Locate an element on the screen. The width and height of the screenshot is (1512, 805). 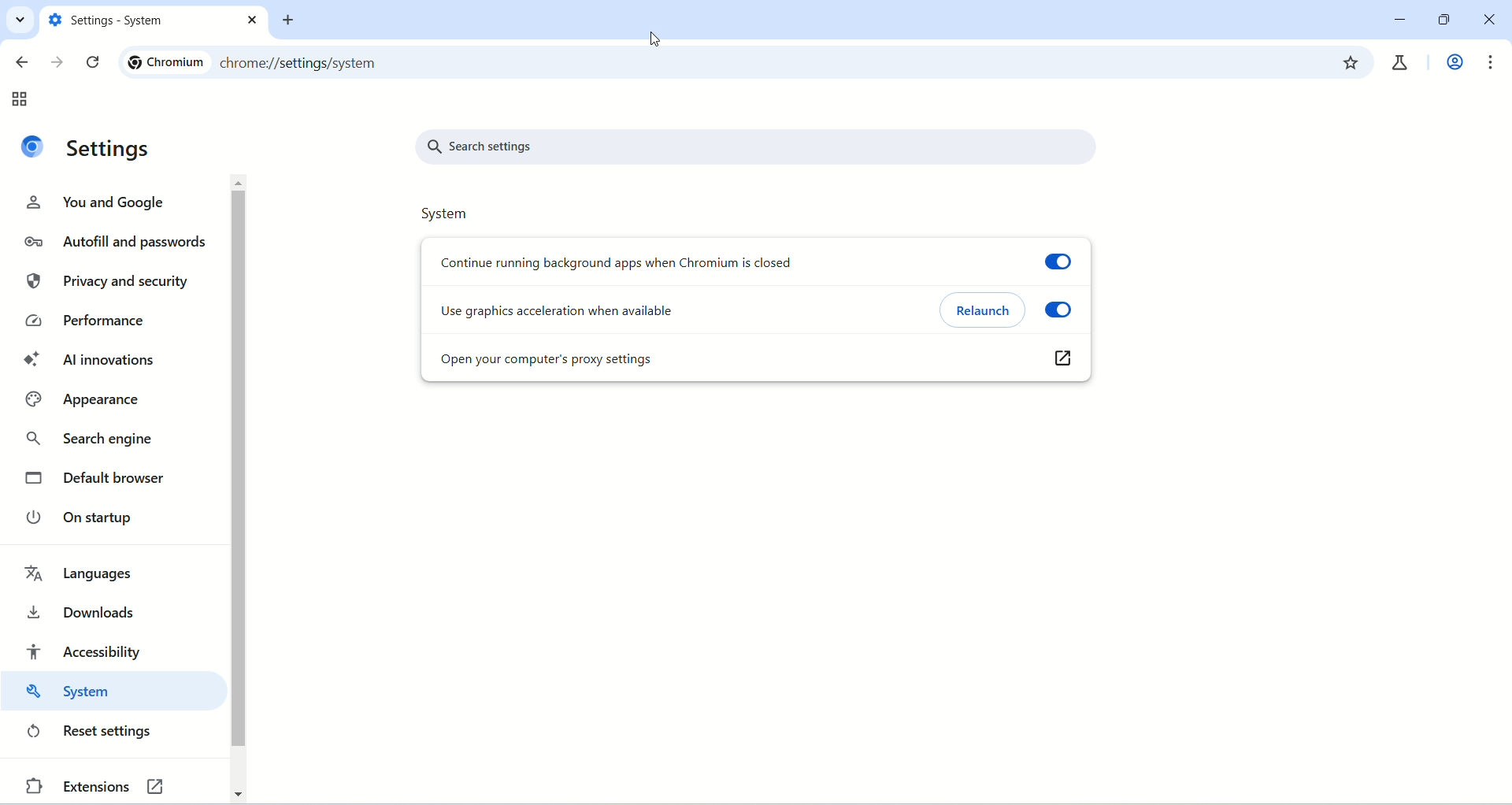
close tab is located at coordinates (254, 20).